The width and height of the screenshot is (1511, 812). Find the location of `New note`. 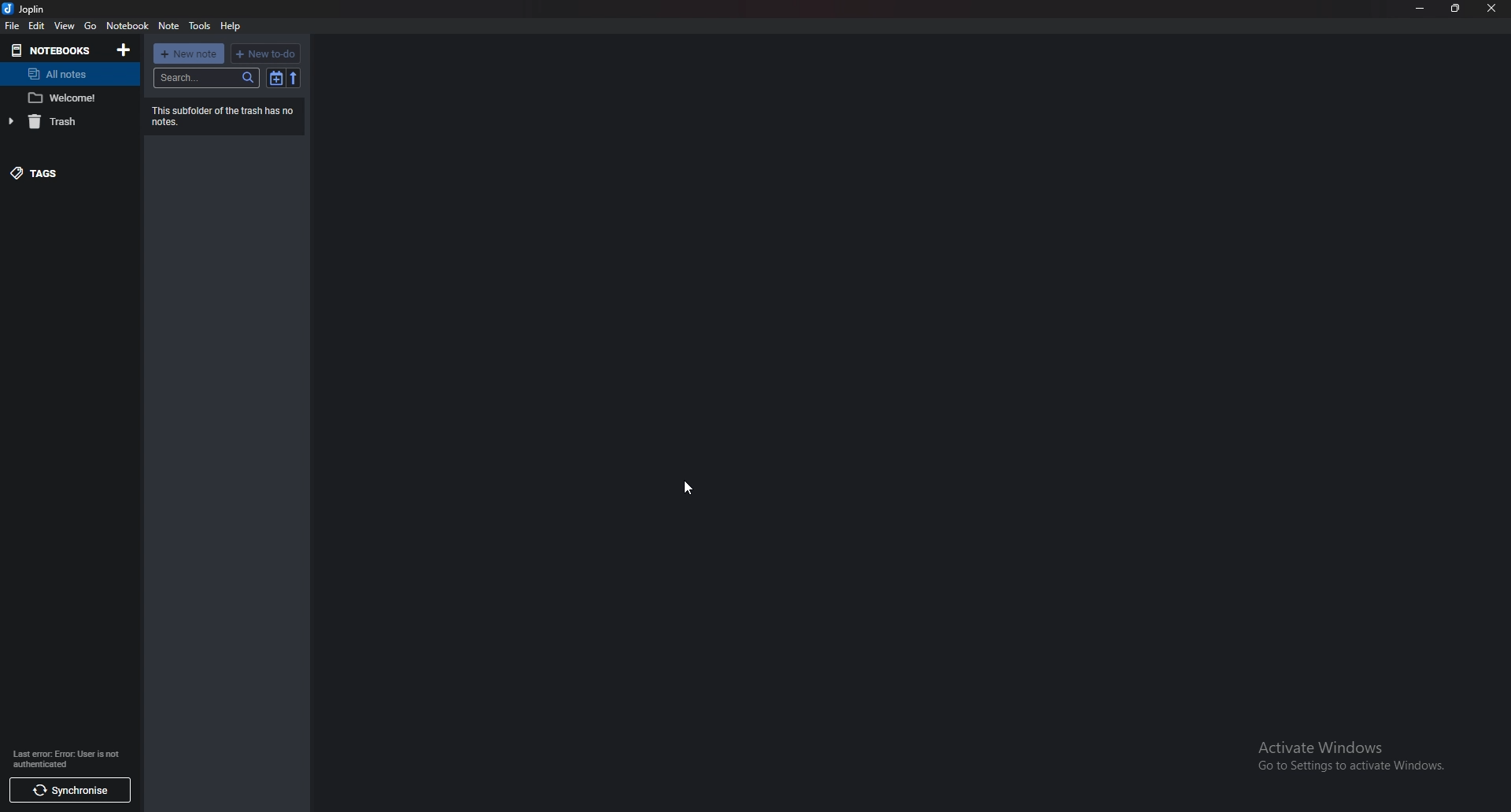

New note is located at coordinates (189, 54).